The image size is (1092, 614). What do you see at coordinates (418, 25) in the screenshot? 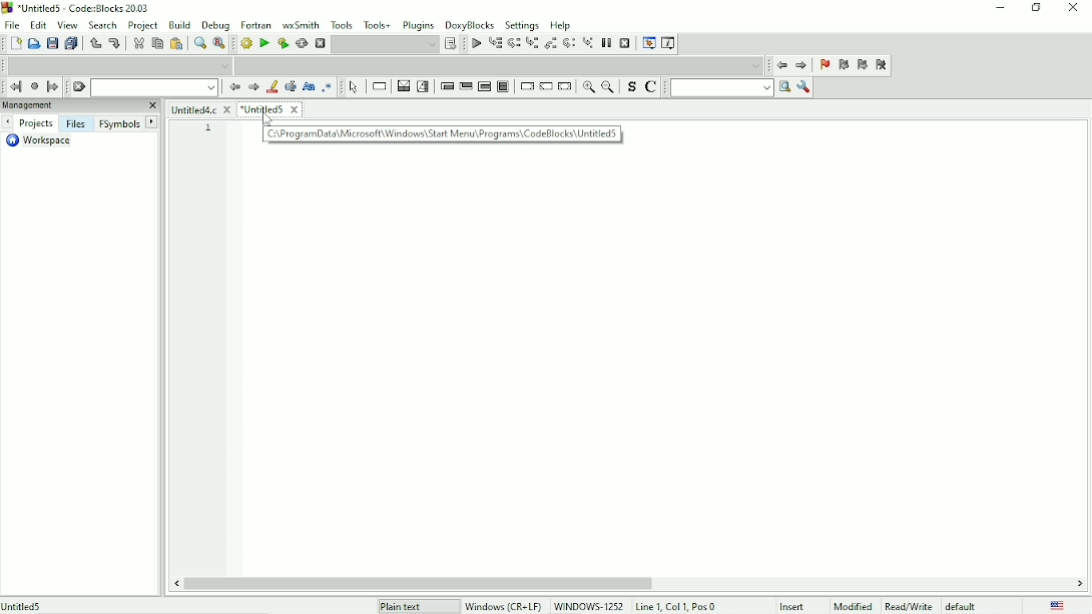
I see `Plugins` at bounding box center [418, 25].